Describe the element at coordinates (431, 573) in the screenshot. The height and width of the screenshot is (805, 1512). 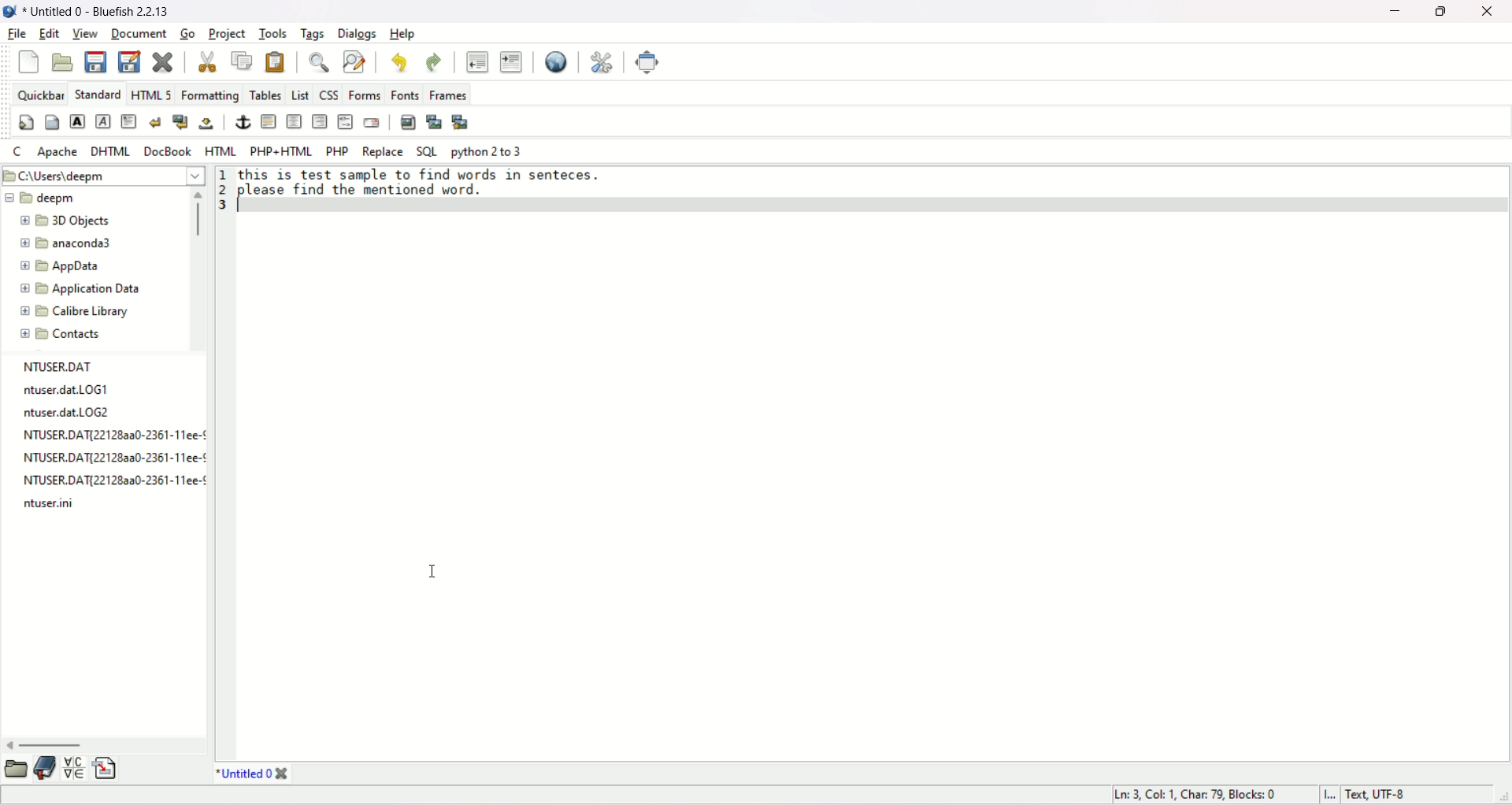
I see `cursor` at that location.